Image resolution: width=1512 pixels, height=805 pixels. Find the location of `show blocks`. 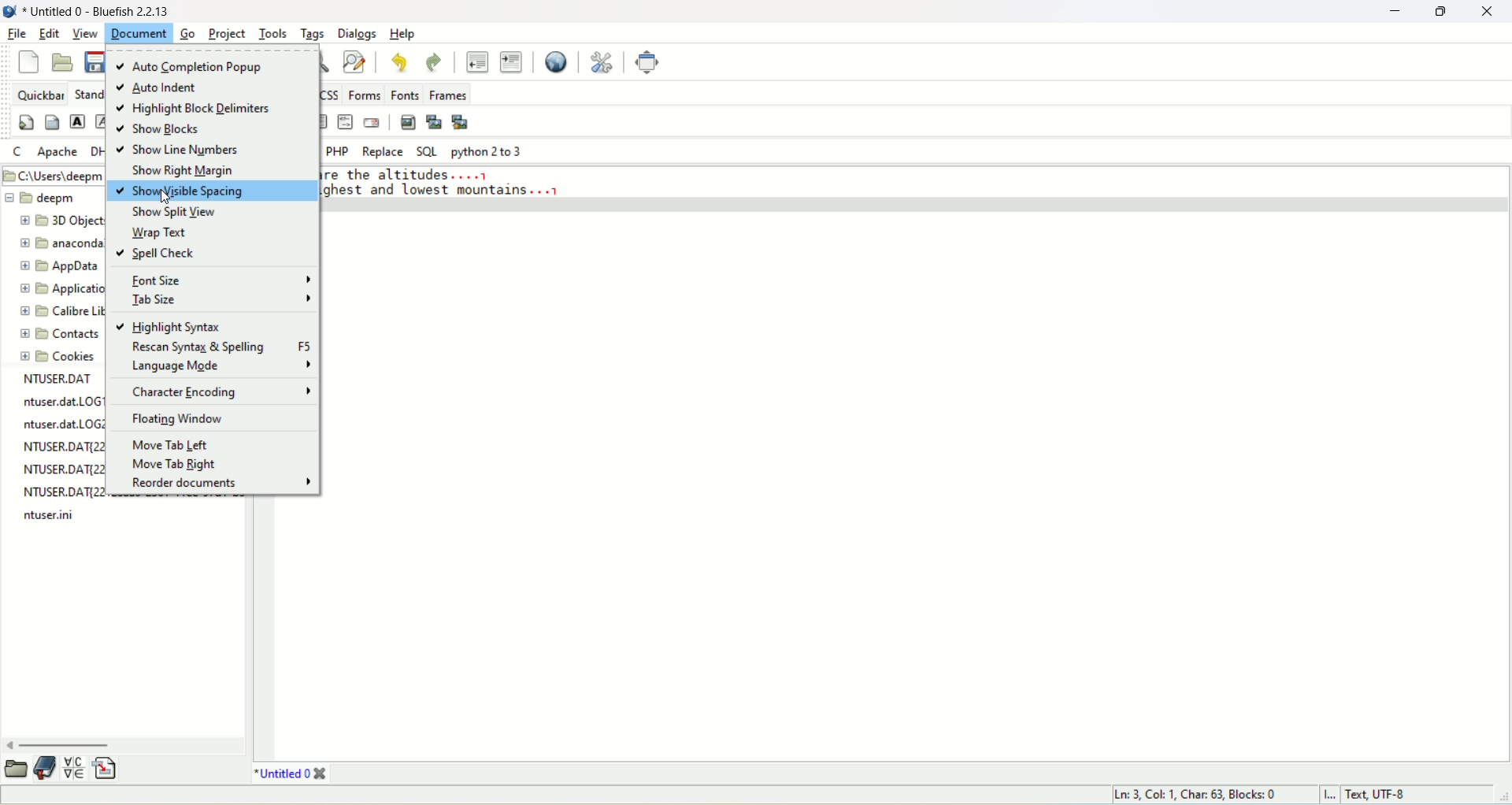

show blocks is located at coordinates (161, 130).